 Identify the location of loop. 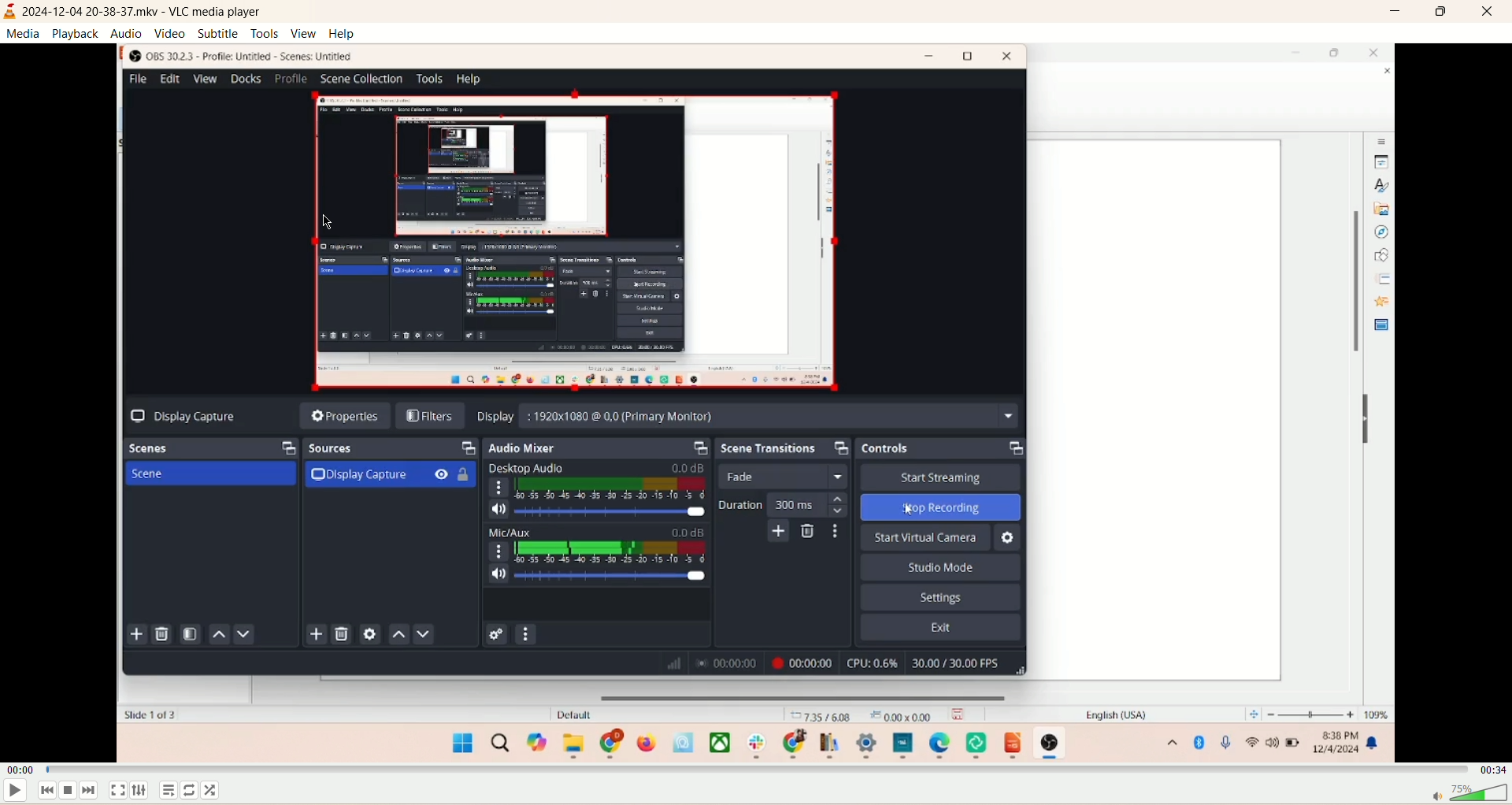
(190, 790).